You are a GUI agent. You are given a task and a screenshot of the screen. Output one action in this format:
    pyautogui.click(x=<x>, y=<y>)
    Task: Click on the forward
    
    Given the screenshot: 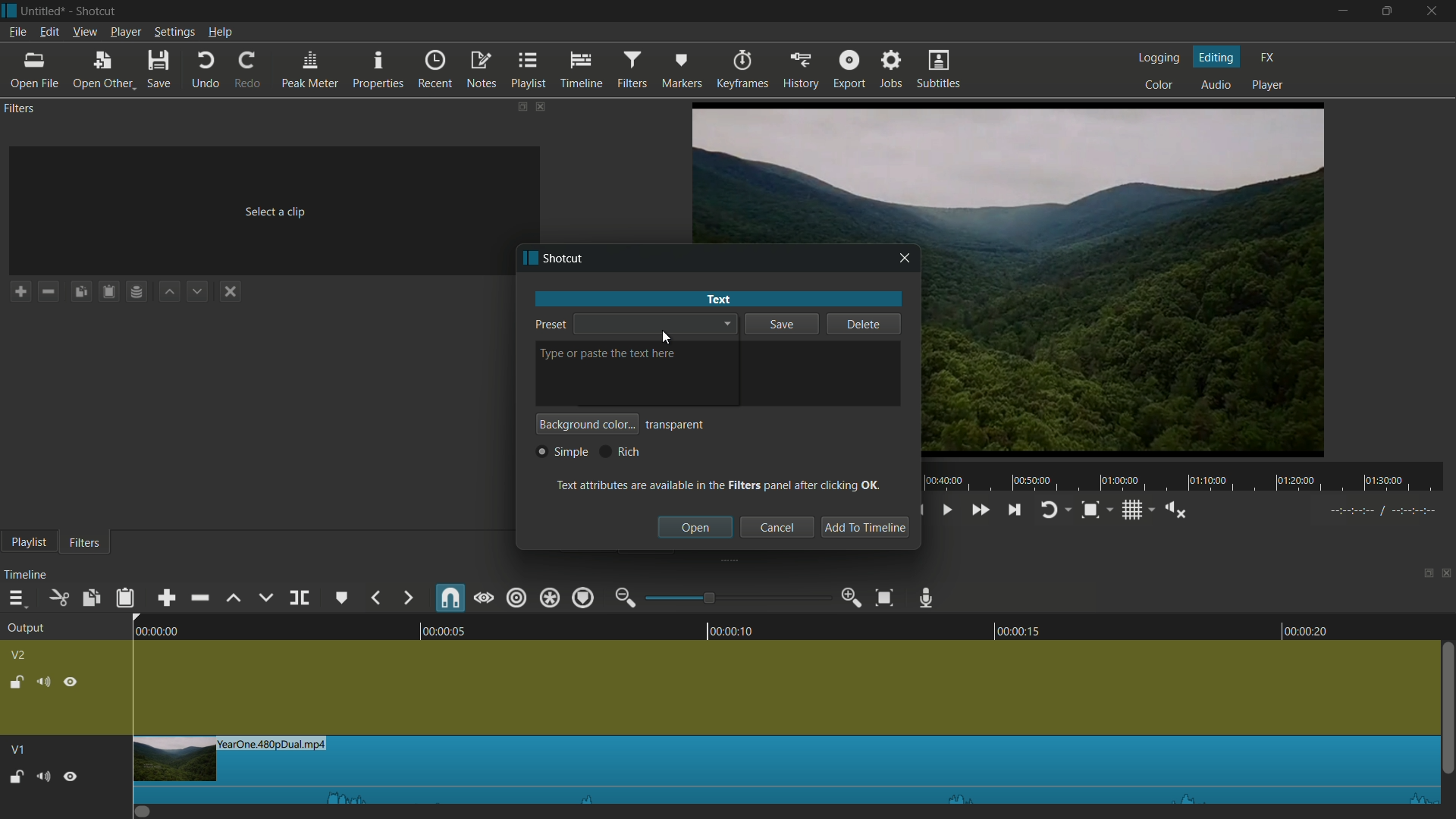 What is the action you would take?
    pyautogui.click(x=407, y=598)
    